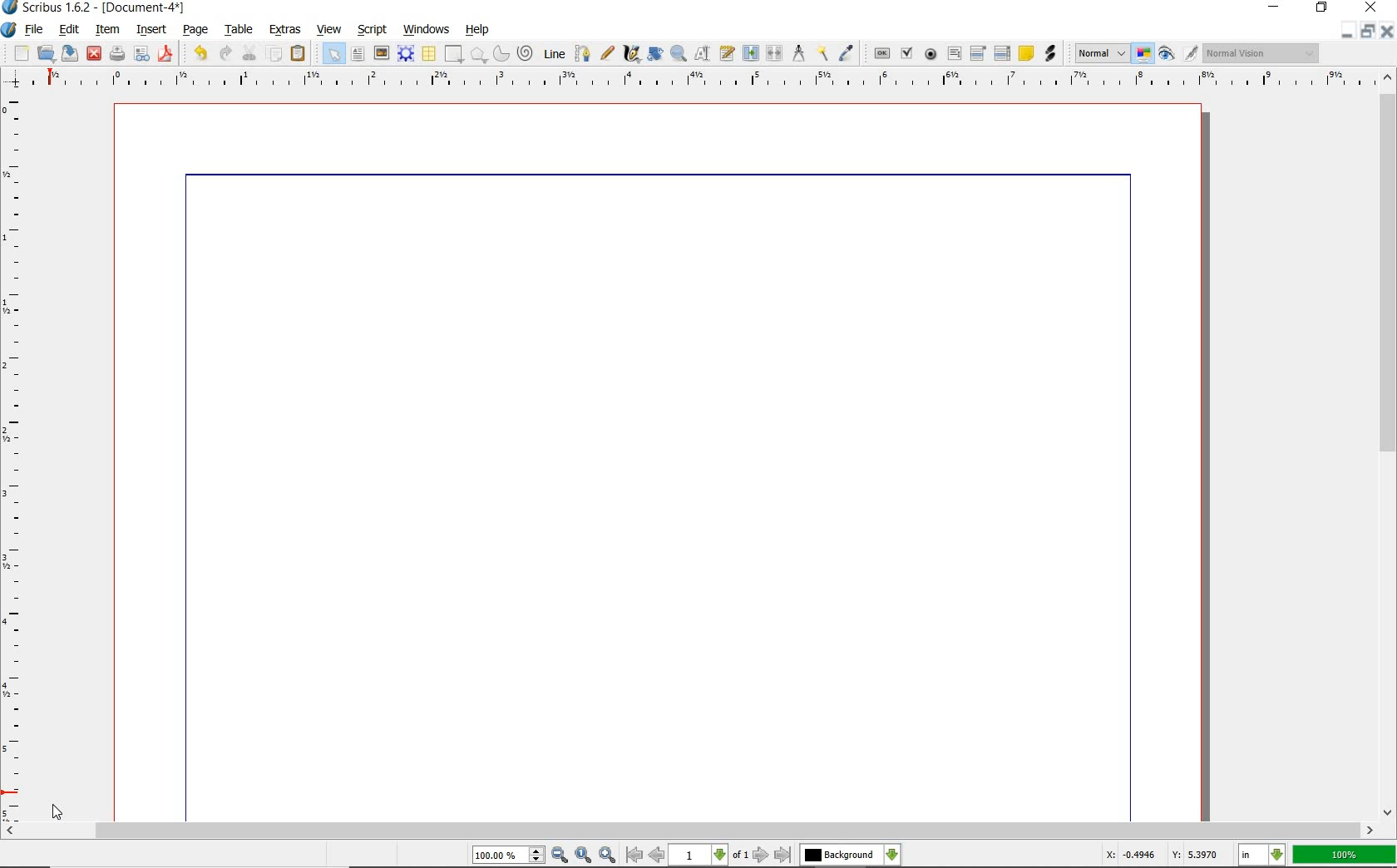 Image resolution: width=1397 pixels, height=868 pixels. Describe the element at coordinates (454, 55) in the screenshot. I see `shape` at that location.